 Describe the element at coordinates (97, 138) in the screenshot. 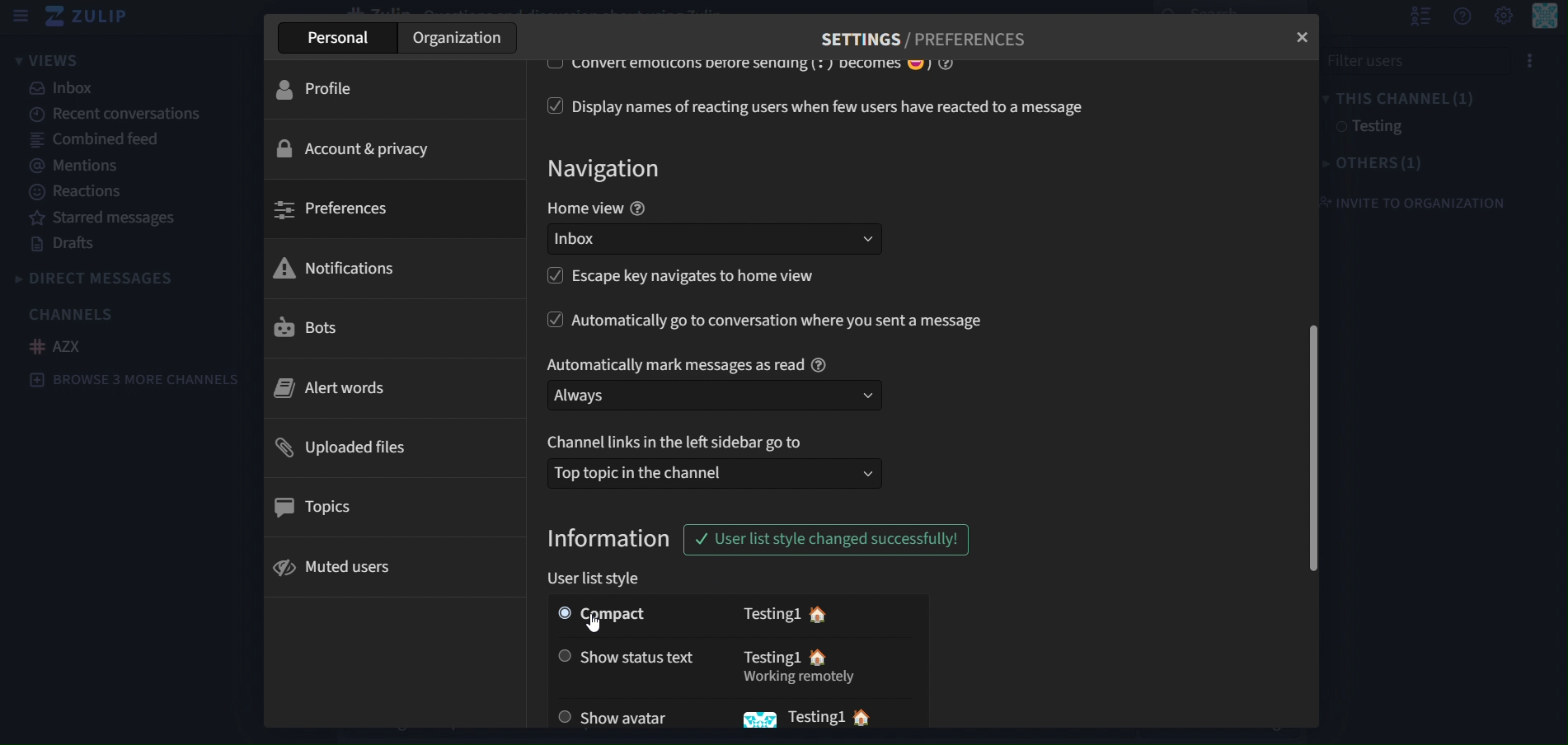

I see `combined feed` at that location.